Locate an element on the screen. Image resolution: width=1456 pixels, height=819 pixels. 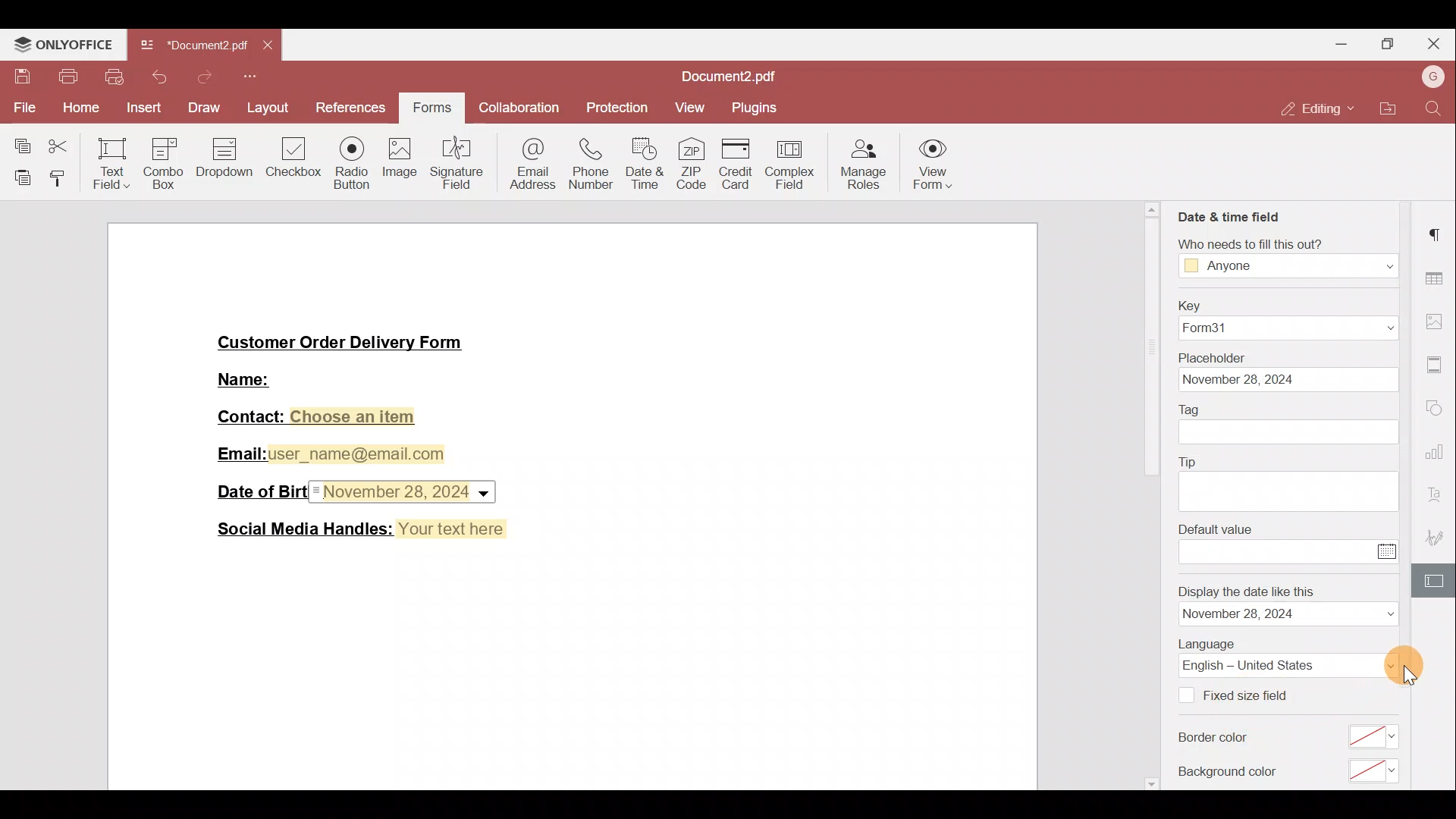
Draw is located at coordinates (202, 107).